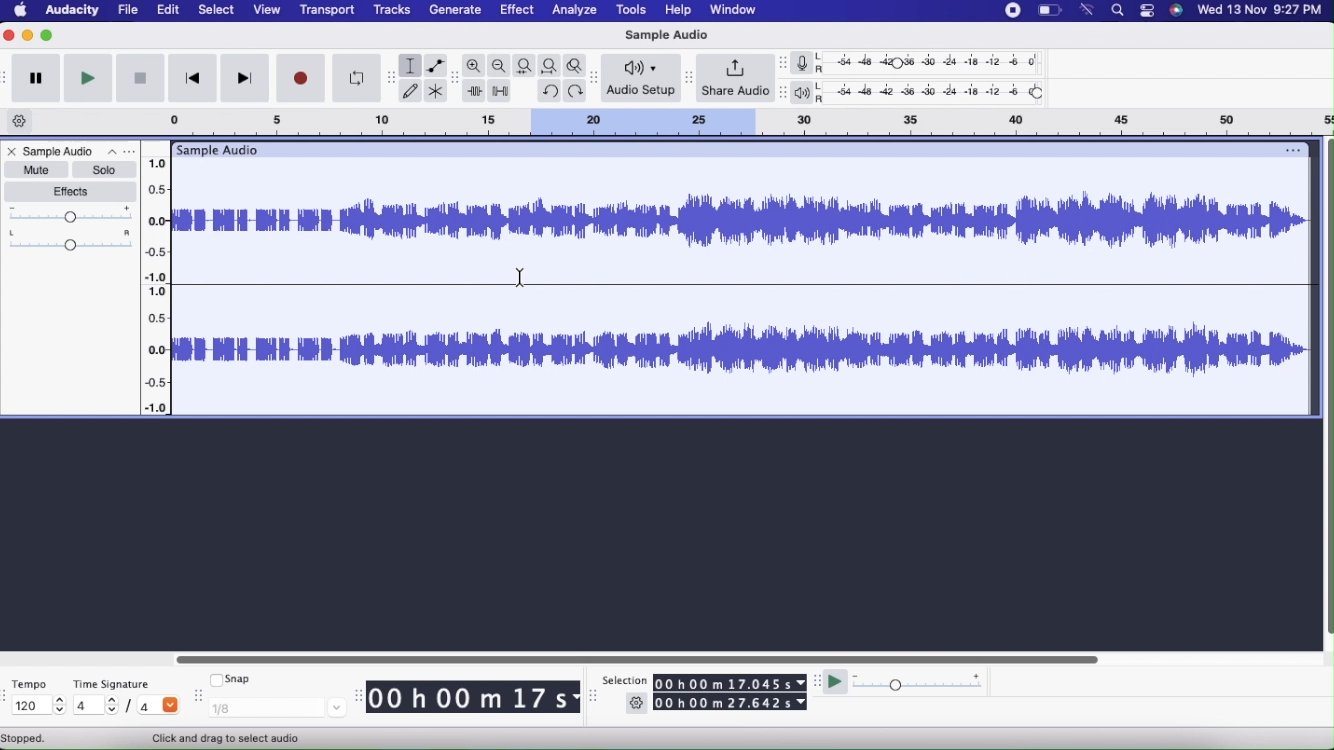 Image resolution: width=1334 pixels, height=750 pixels. I want to click on Audacity, so click(74, 13).